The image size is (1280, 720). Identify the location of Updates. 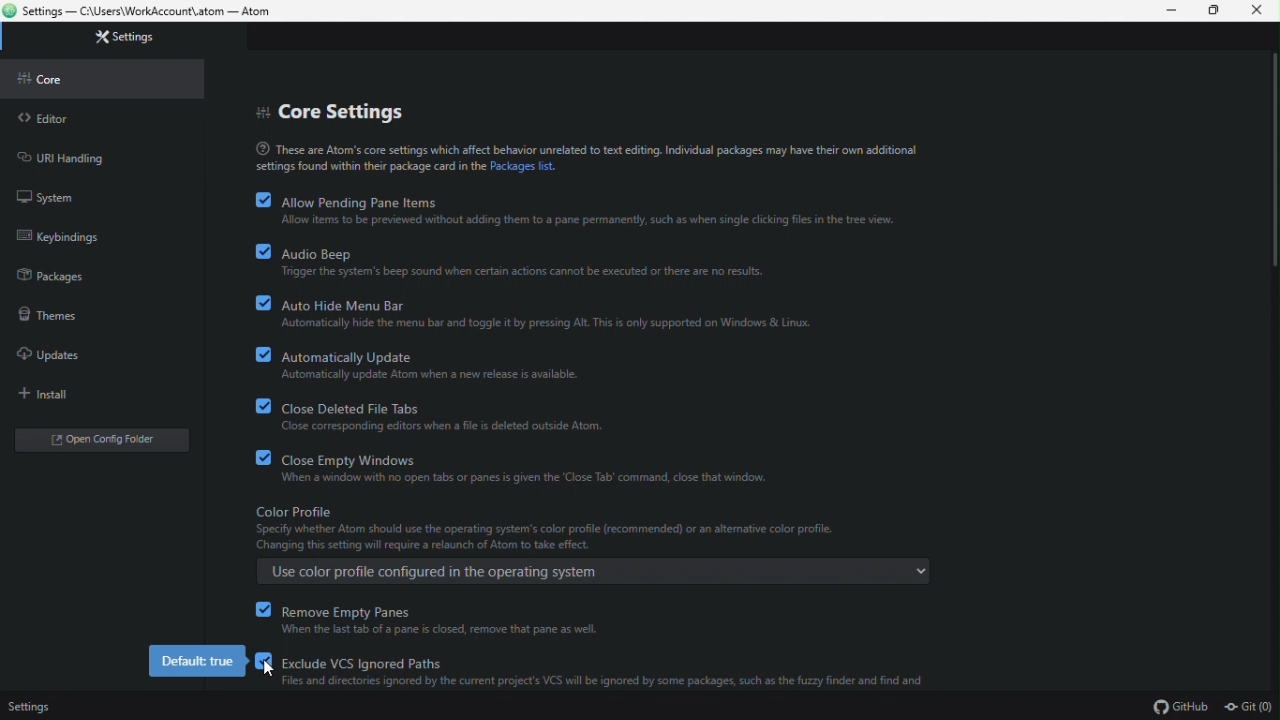
(94, 354).